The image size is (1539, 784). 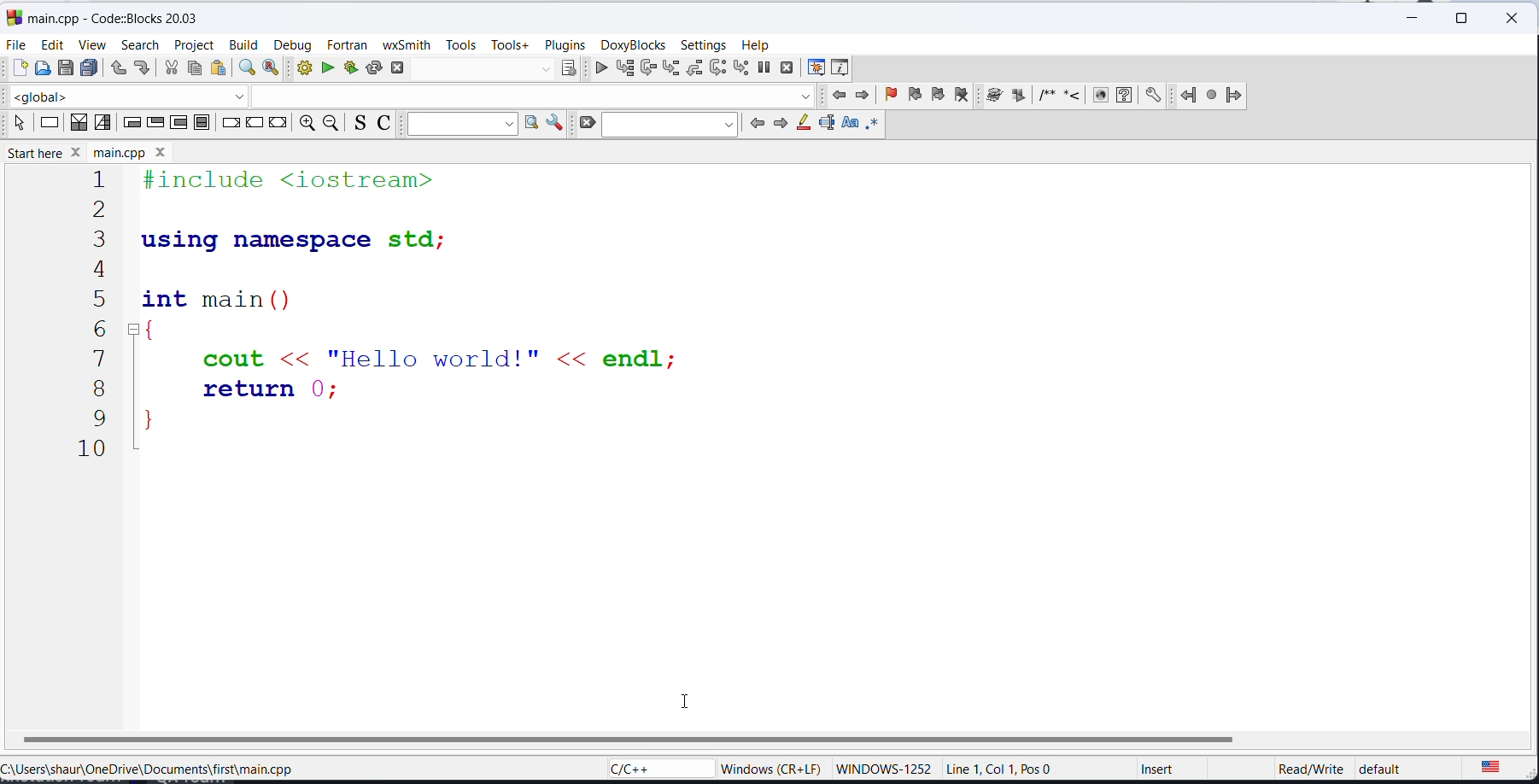 I want to click on insert, so click(x=1162, y=772).